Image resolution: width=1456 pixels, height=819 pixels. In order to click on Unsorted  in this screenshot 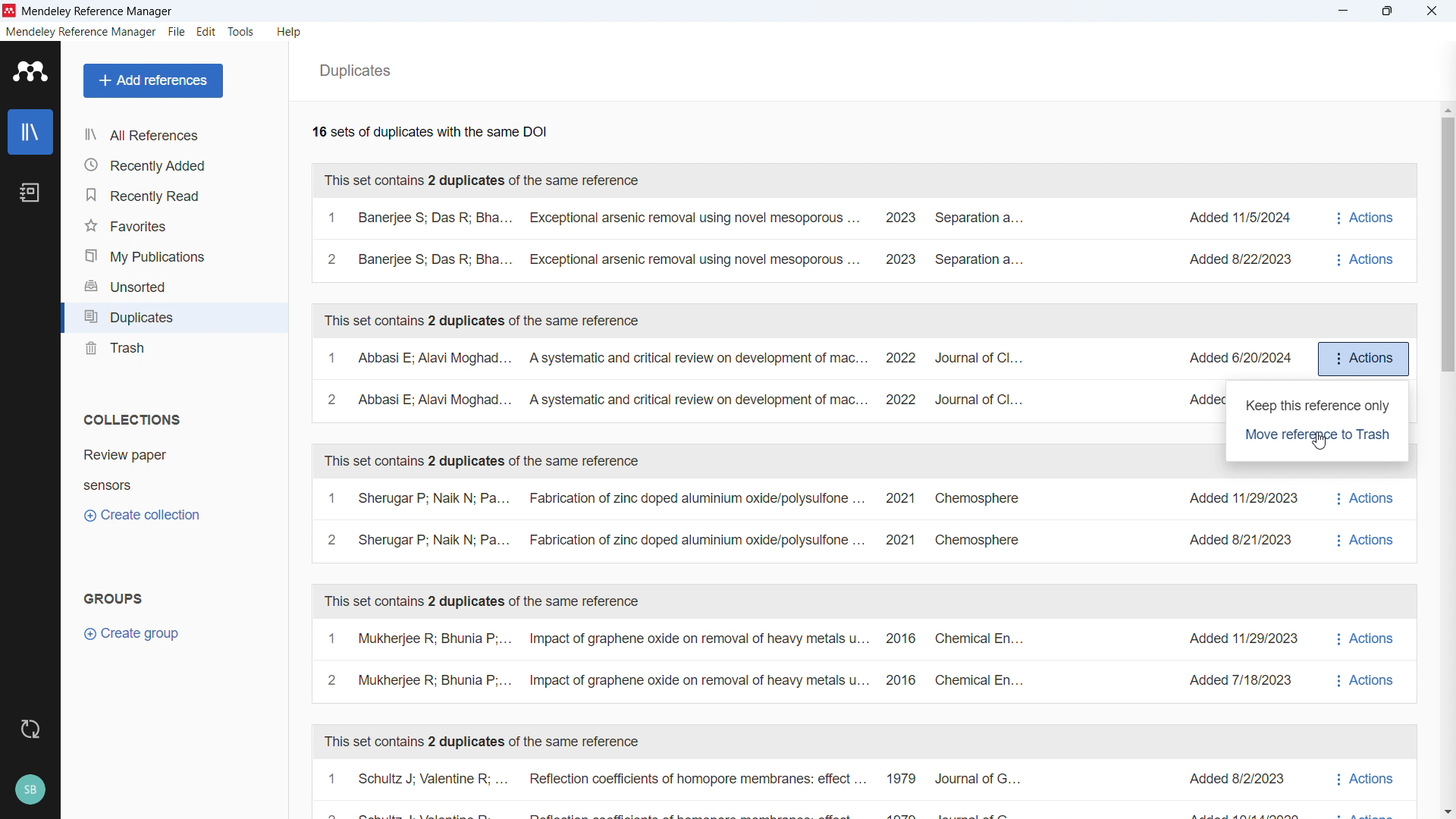, I will do `click(172, 284)`.